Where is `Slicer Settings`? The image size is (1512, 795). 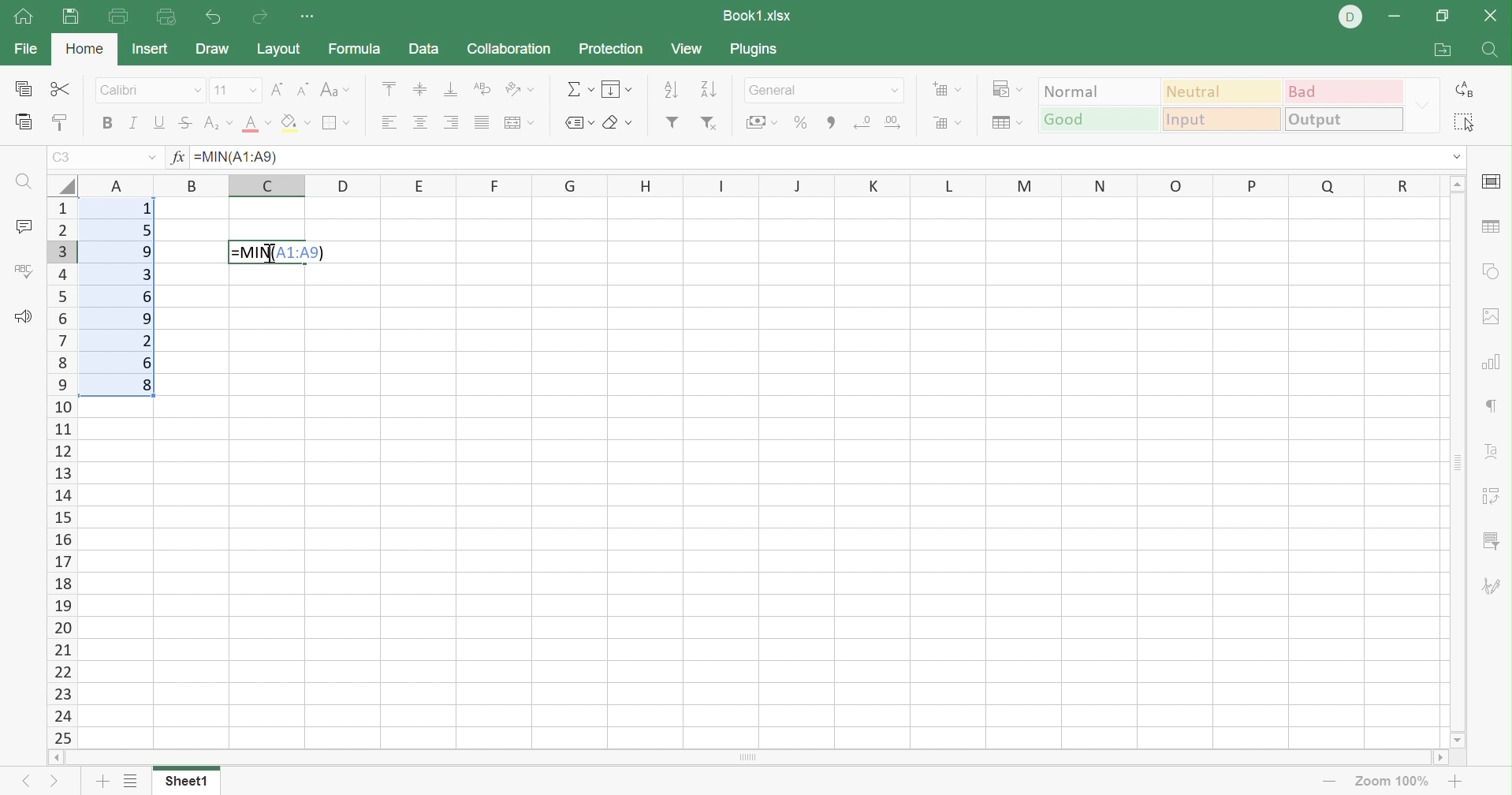
Slicer Settings is located at coordinates (1492, 543).